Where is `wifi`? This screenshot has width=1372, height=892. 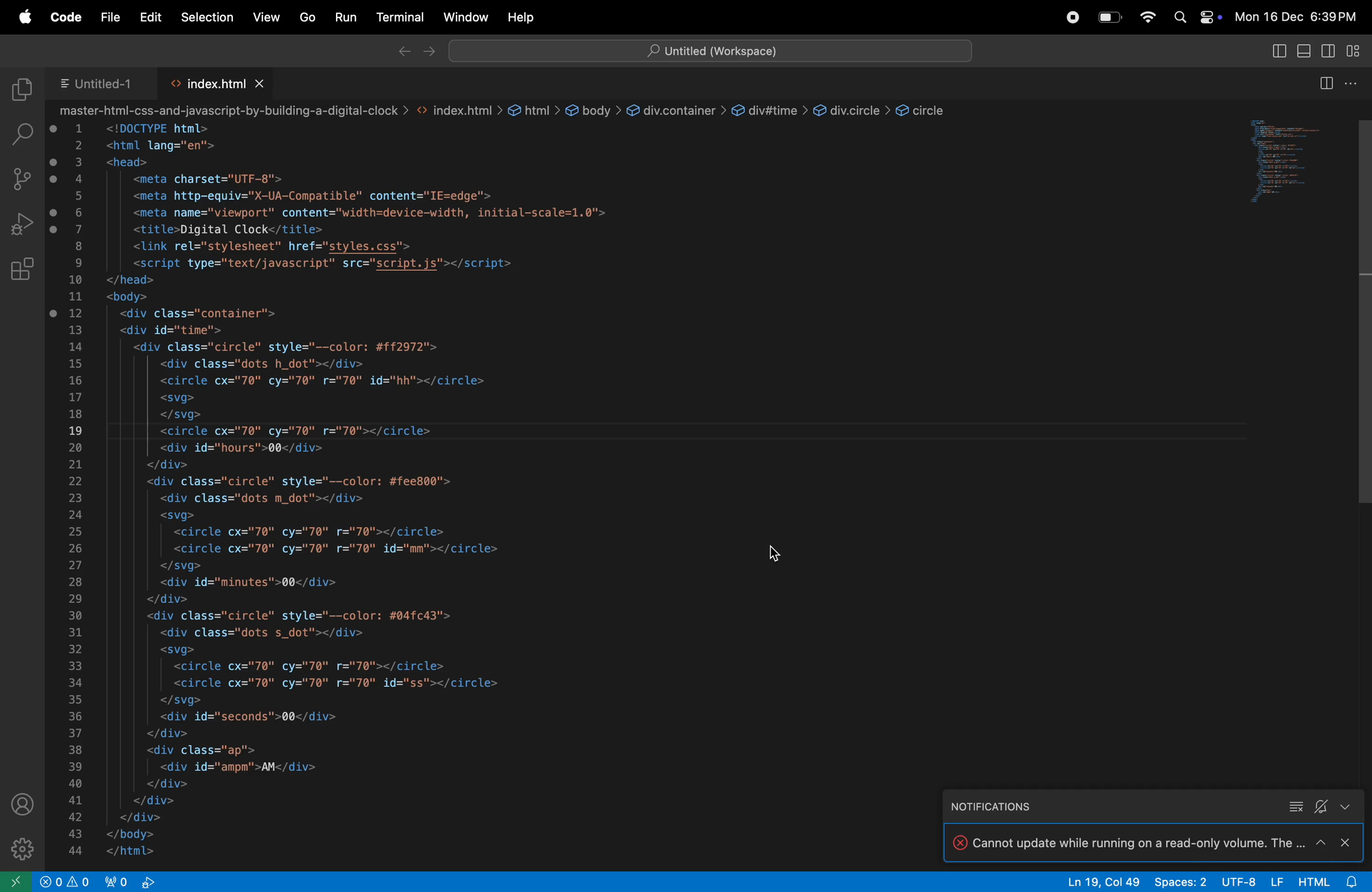 wifi is located at coordinates (1148, 17).